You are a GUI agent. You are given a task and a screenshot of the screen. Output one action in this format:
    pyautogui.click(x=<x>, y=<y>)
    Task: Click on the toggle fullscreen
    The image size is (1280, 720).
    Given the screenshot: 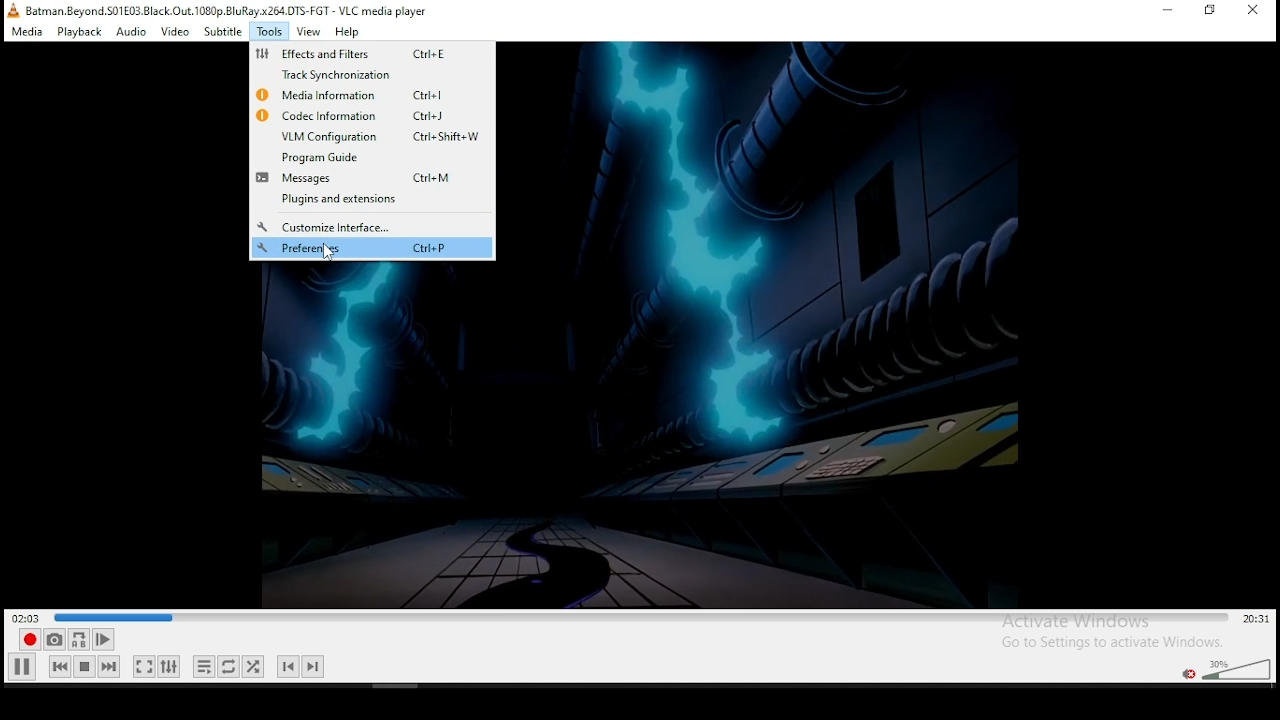 What is the action you would take?
    pyautogui.click(x=142, y=666)
    